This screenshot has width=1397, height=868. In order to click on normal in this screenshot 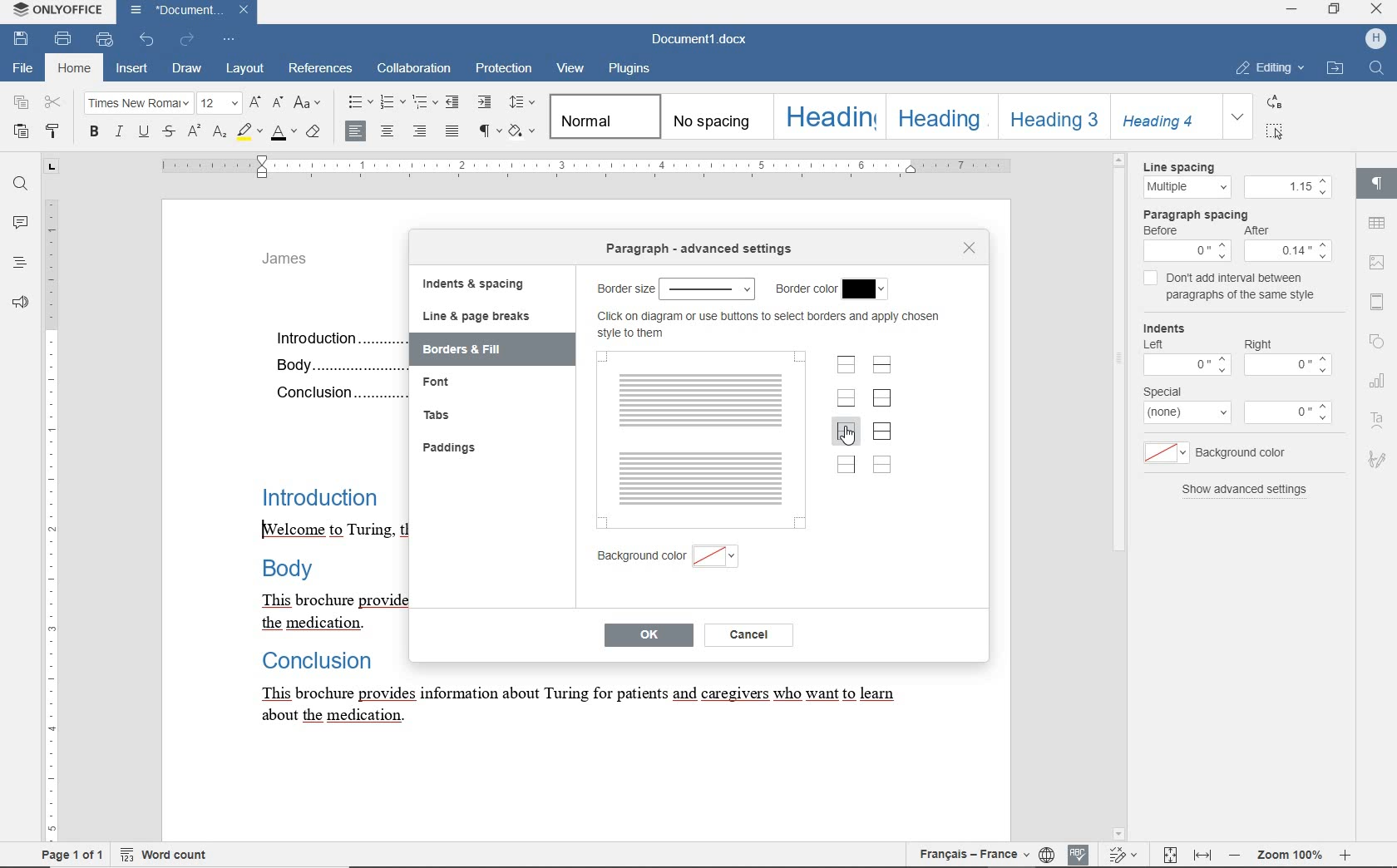, I will do `click(604, 116)`.